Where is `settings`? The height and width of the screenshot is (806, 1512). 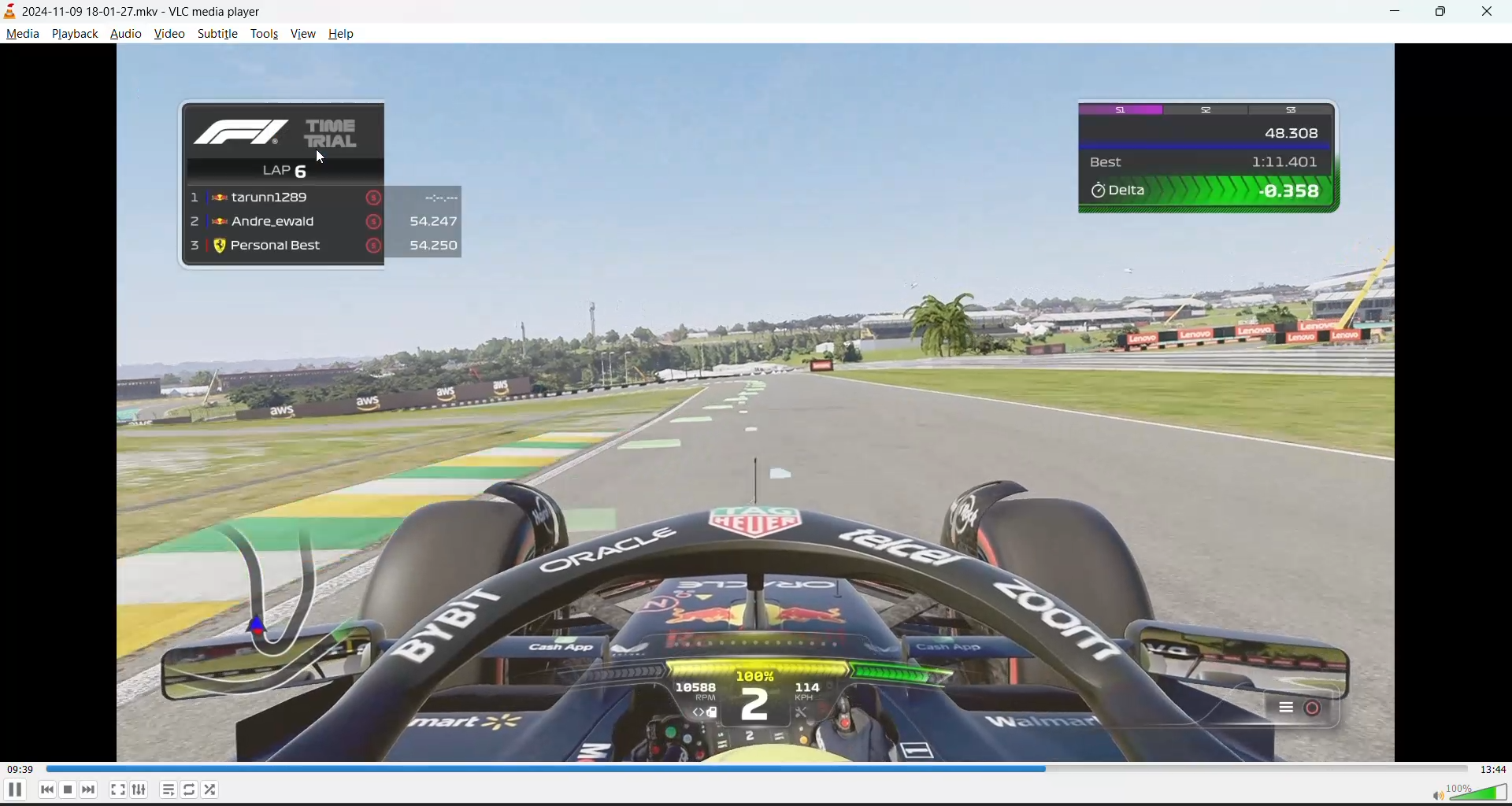
settings is located at coordinates (140, 789).